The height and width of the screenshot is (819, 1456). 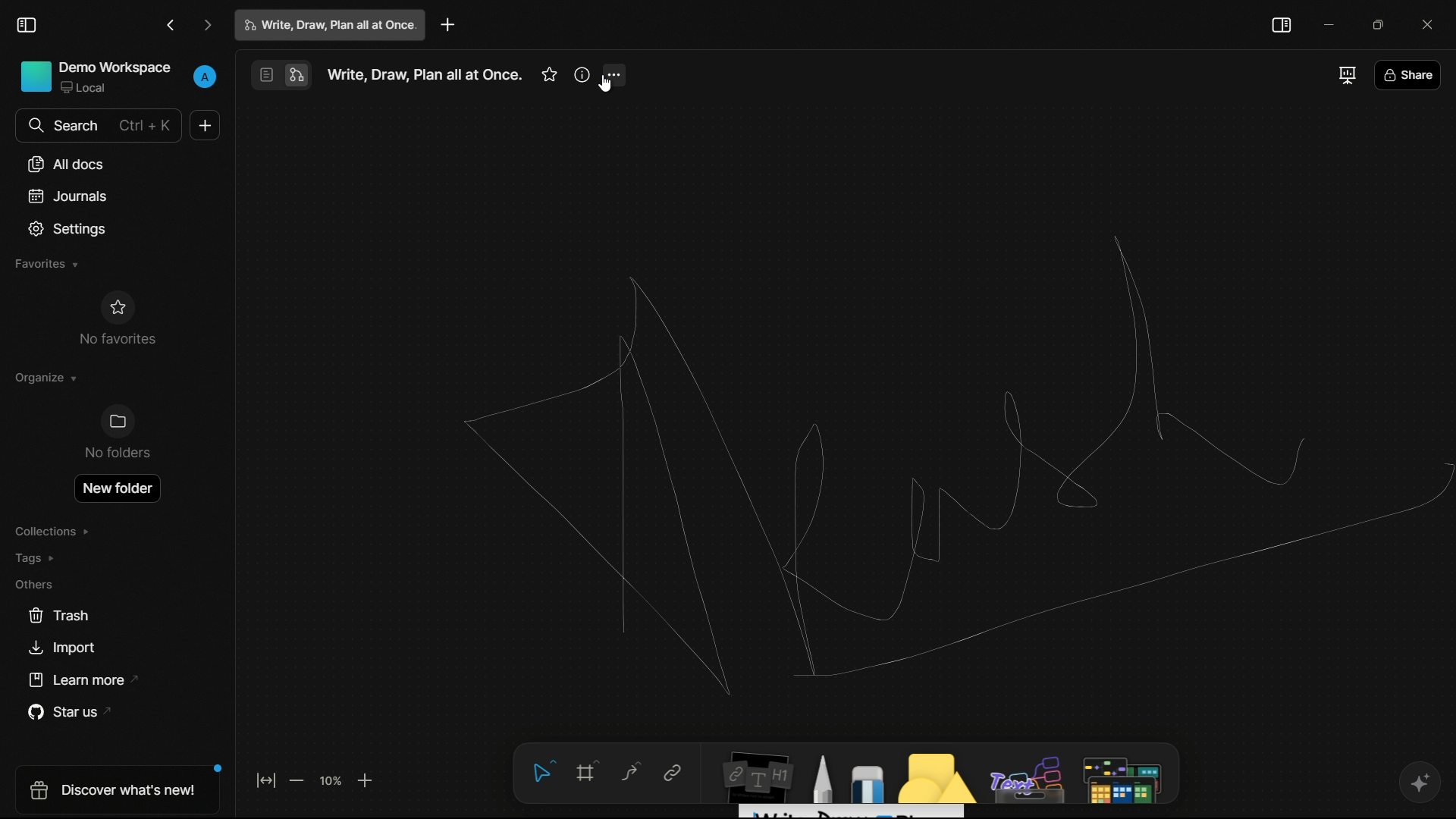 I want to click on page mode, so click(x=265, y=75).